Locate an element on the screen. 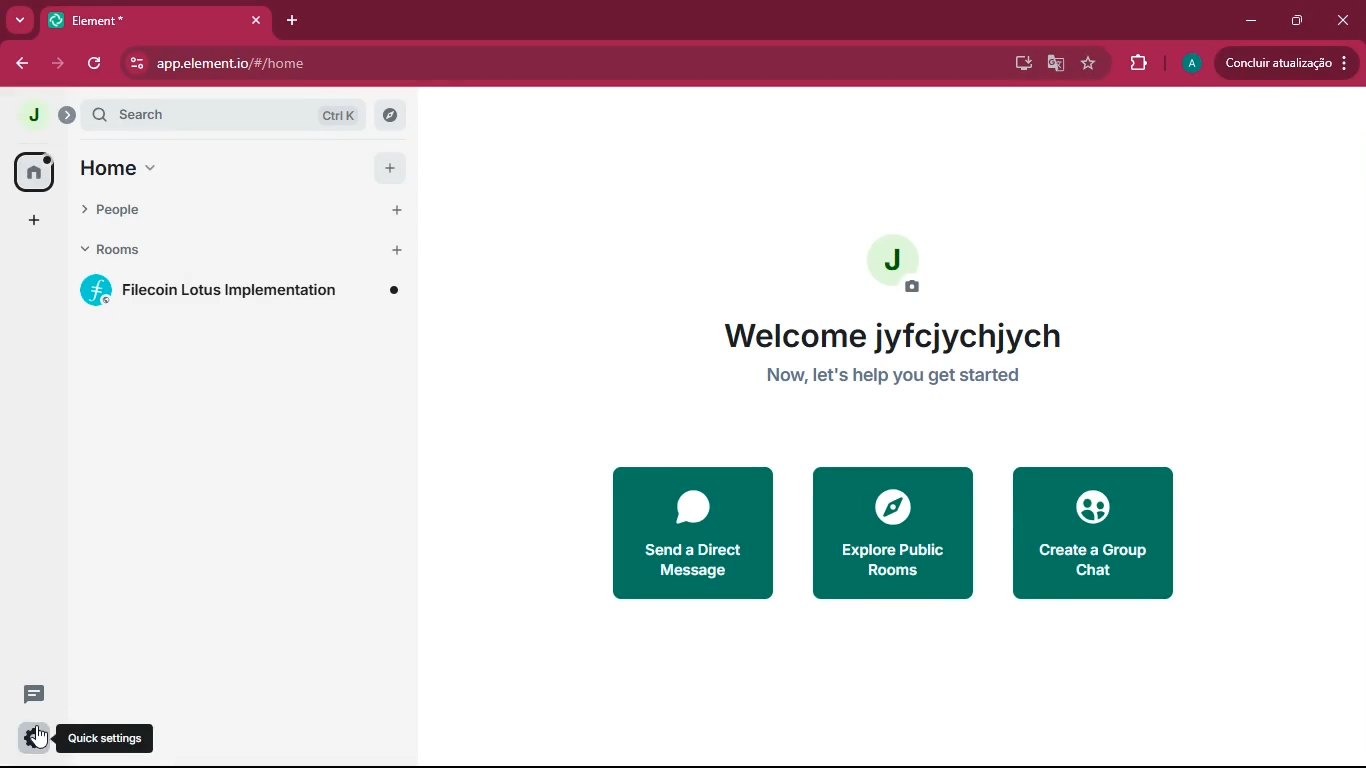 The width and height of the screenshot is (1366, 768). more is located at coordinates (20, 19).